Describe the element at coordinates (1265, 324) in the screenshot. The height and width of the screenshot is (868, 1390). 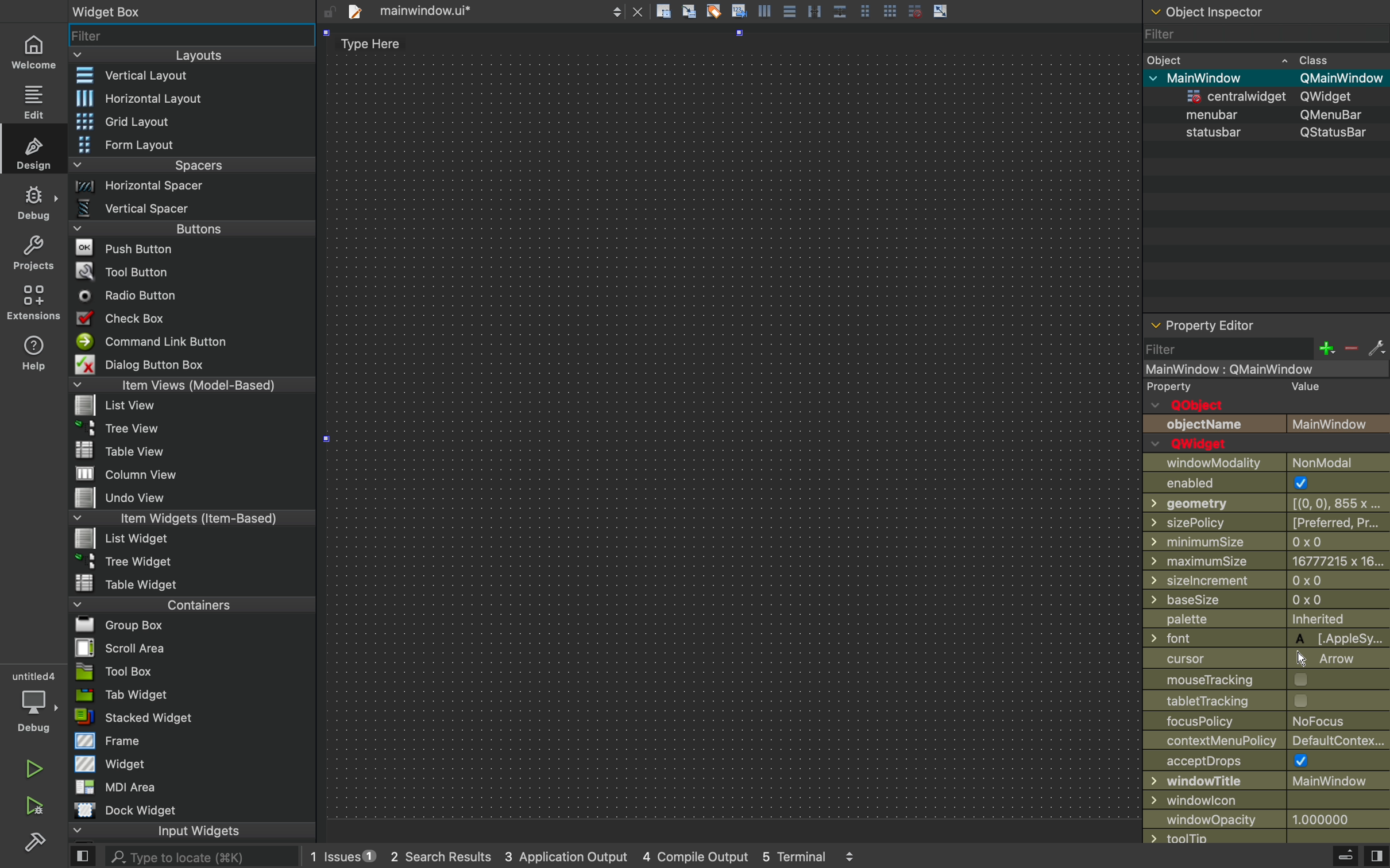
I see `properties of selected widget ` at that location.